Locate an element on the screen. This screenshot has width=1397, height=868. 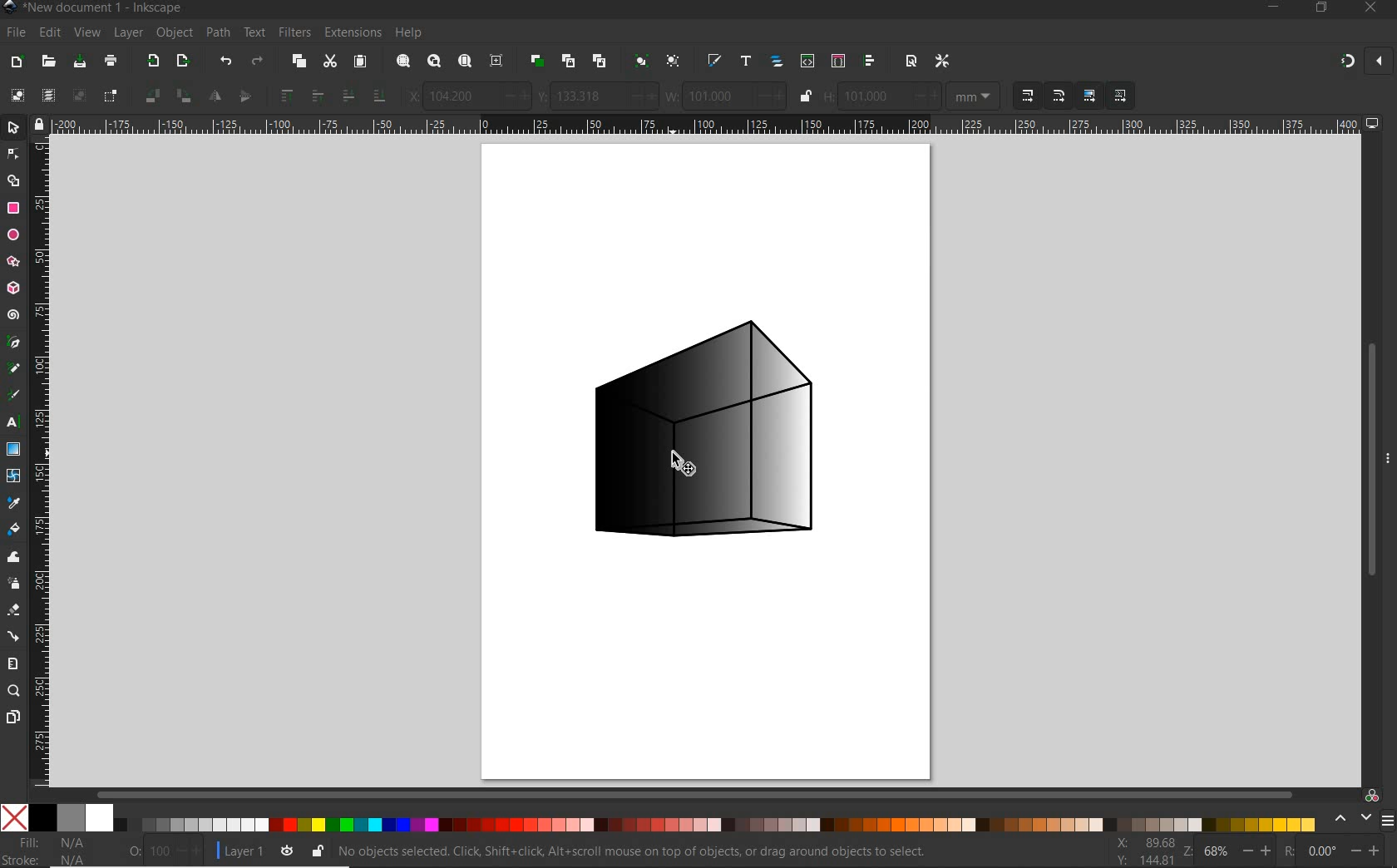
0 is located at coordinates (1323, 852).